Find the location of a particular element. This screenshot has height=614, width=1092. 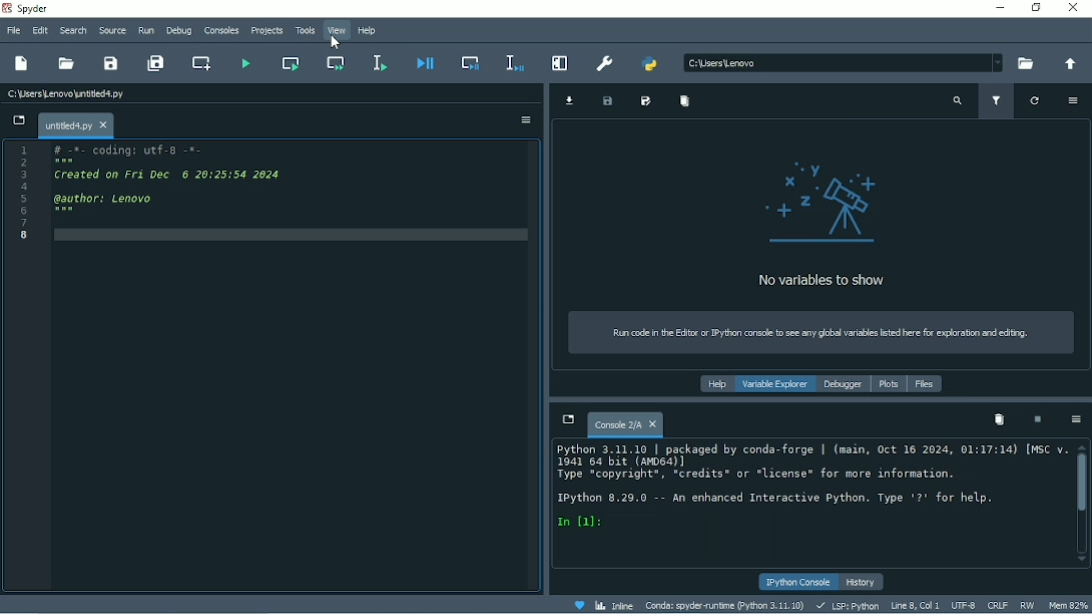

Remove all variables from namespace is located at coordinates (998, 419).